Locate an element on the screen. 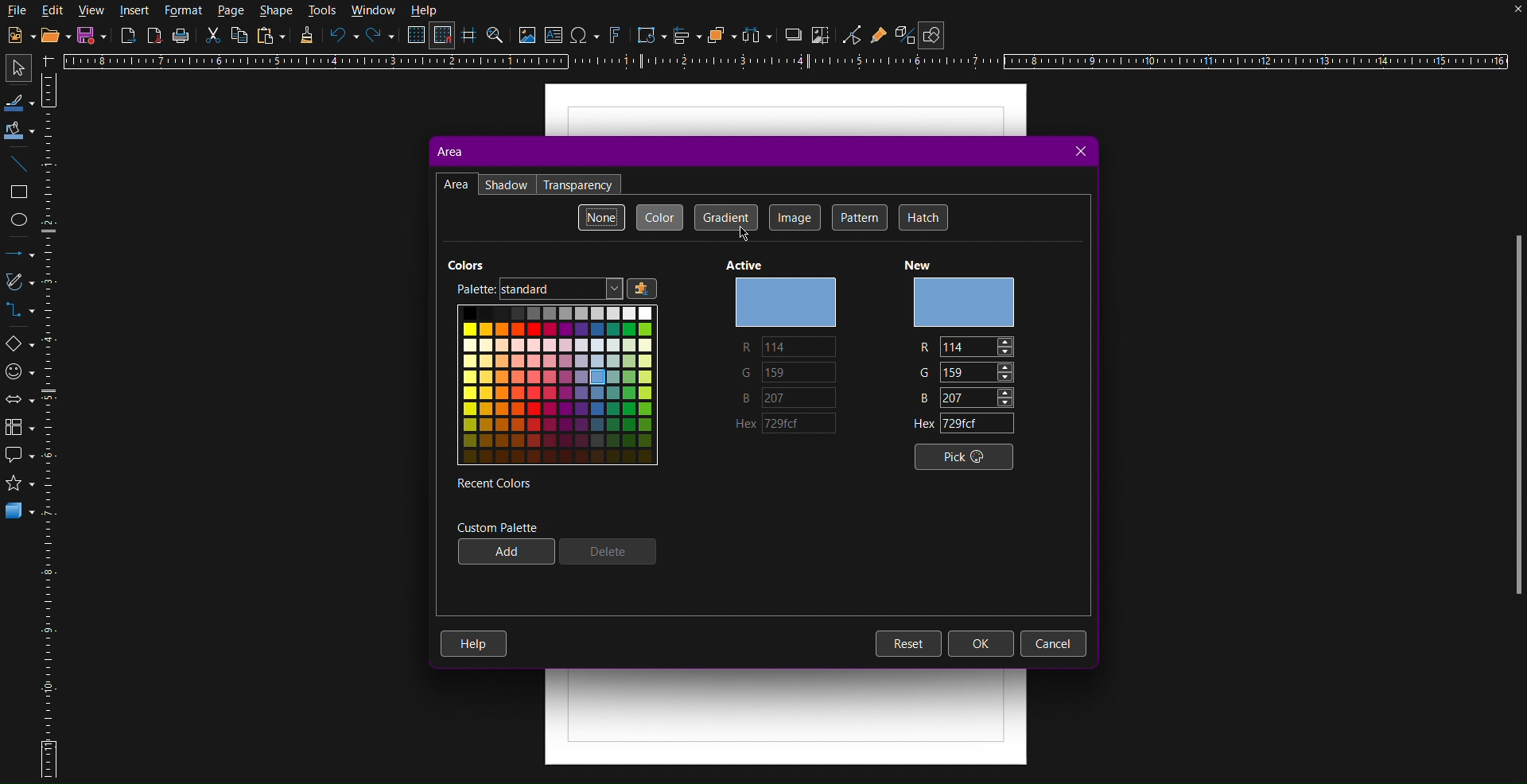 The width and height of the screenshot is (1527, 784). Area is located at coordinates (449, 151).